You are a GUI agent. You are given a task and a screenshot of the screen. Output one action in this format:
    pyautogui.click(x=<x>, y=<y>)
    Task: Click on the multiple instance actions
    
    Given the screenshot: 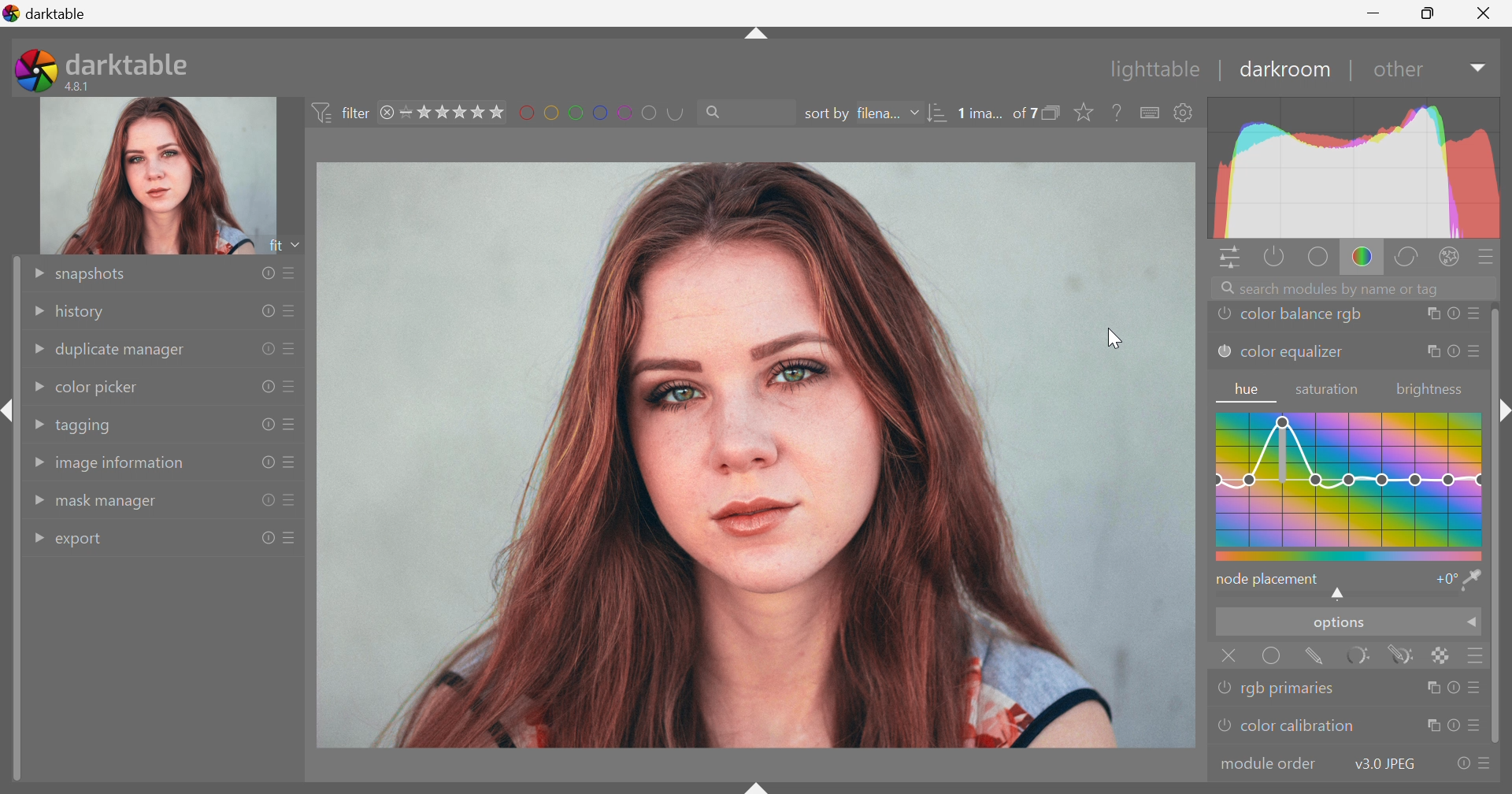 What is the action you would take?
    pyautogui.click(x=1431, y=726)
    